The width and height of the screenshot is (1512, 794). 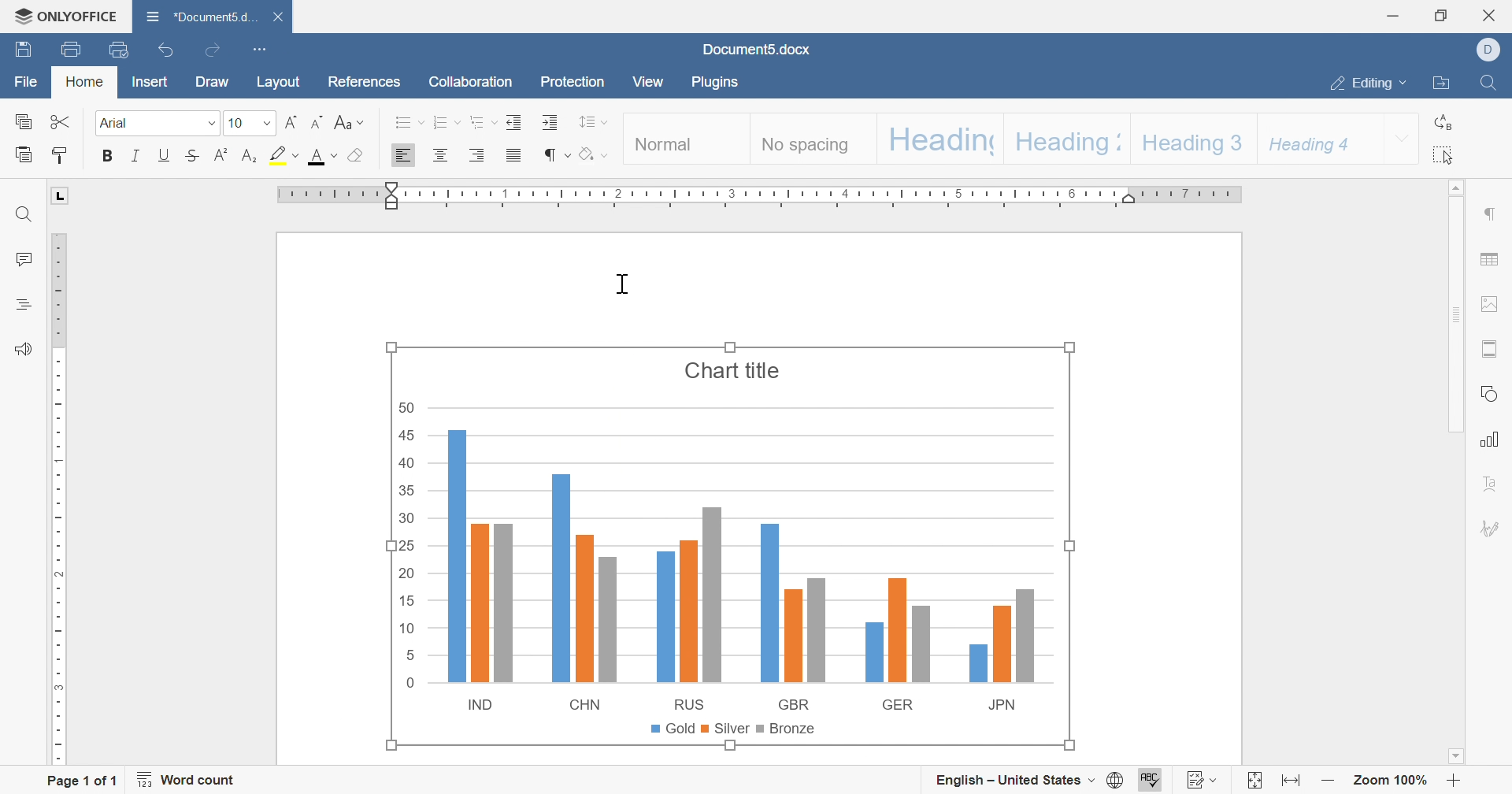 What do you see at coordinates (250, 155) in the screenshot?
I see `Subscript` at bounding box center [250, 155].